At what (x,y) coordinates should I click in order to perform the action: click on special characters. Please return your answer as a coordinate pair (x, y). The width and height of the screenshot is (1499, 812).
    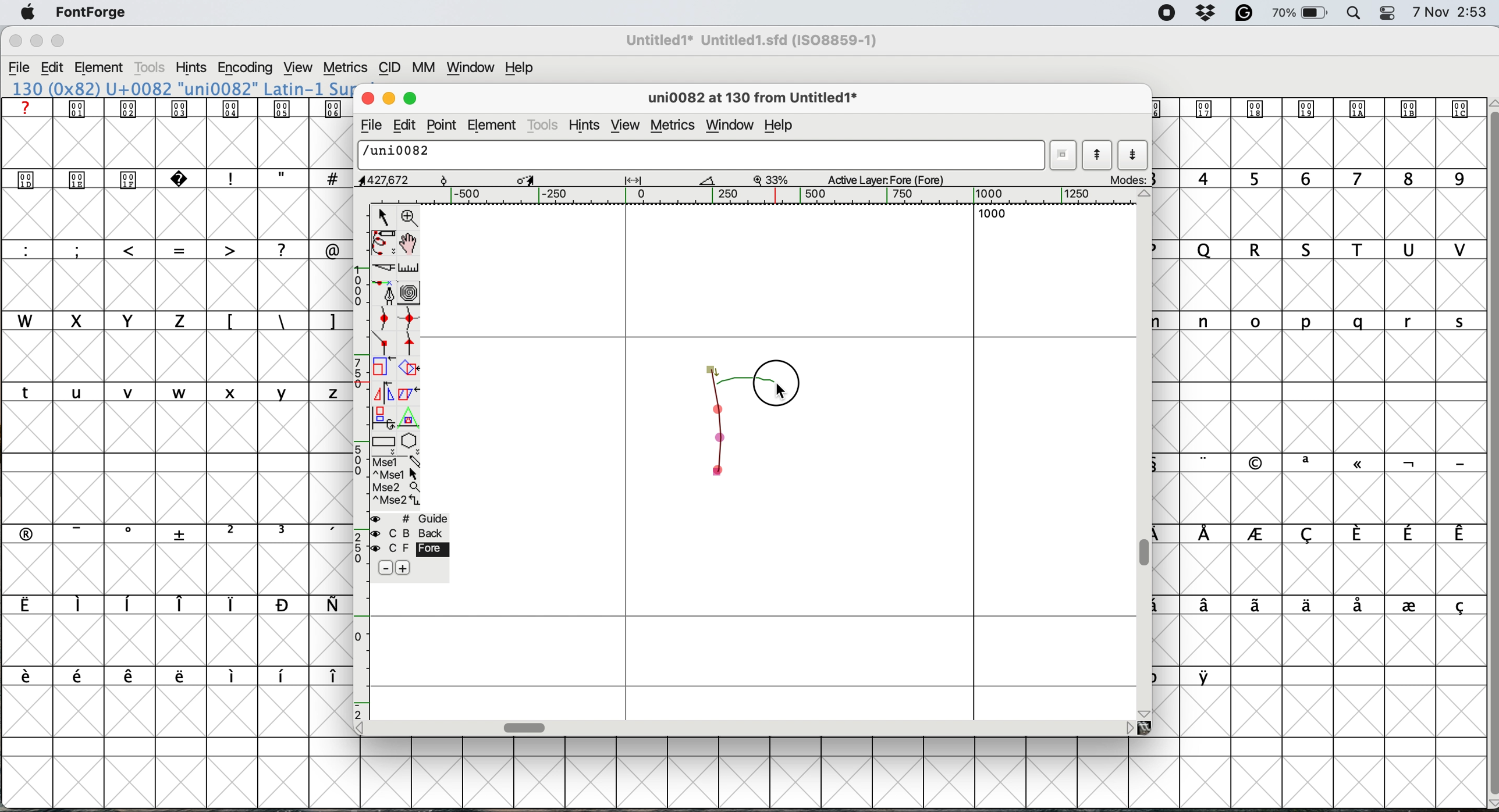
    Looking at the image, I should click on (1319, 606).